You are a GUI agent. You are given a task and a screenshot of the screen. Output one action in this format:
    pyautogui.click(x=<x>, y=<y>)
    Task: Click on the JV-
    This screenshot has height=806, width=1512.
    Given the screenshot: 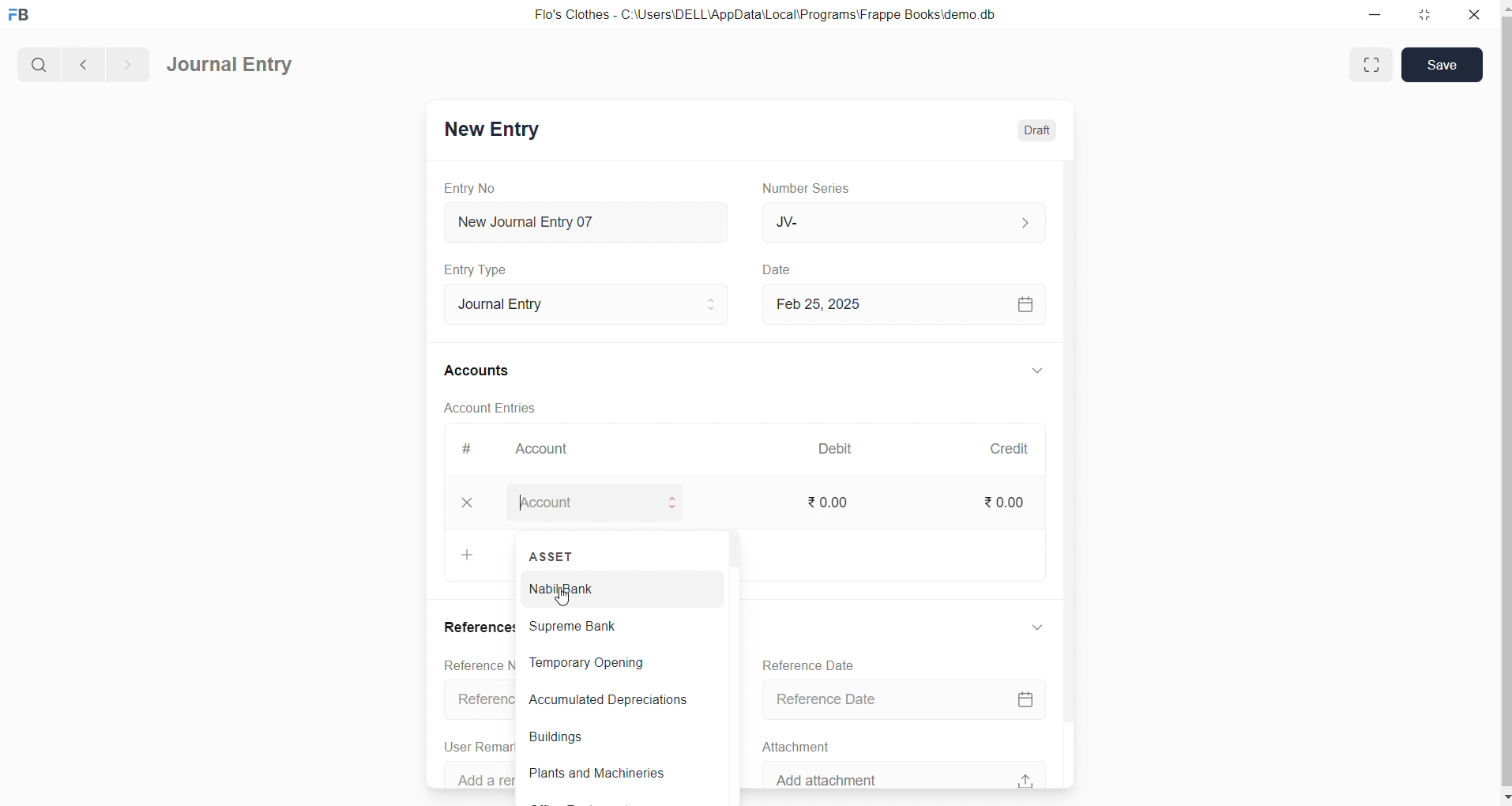 What is the action you would take?
    pyautogui.click(x=910, y=223)
    